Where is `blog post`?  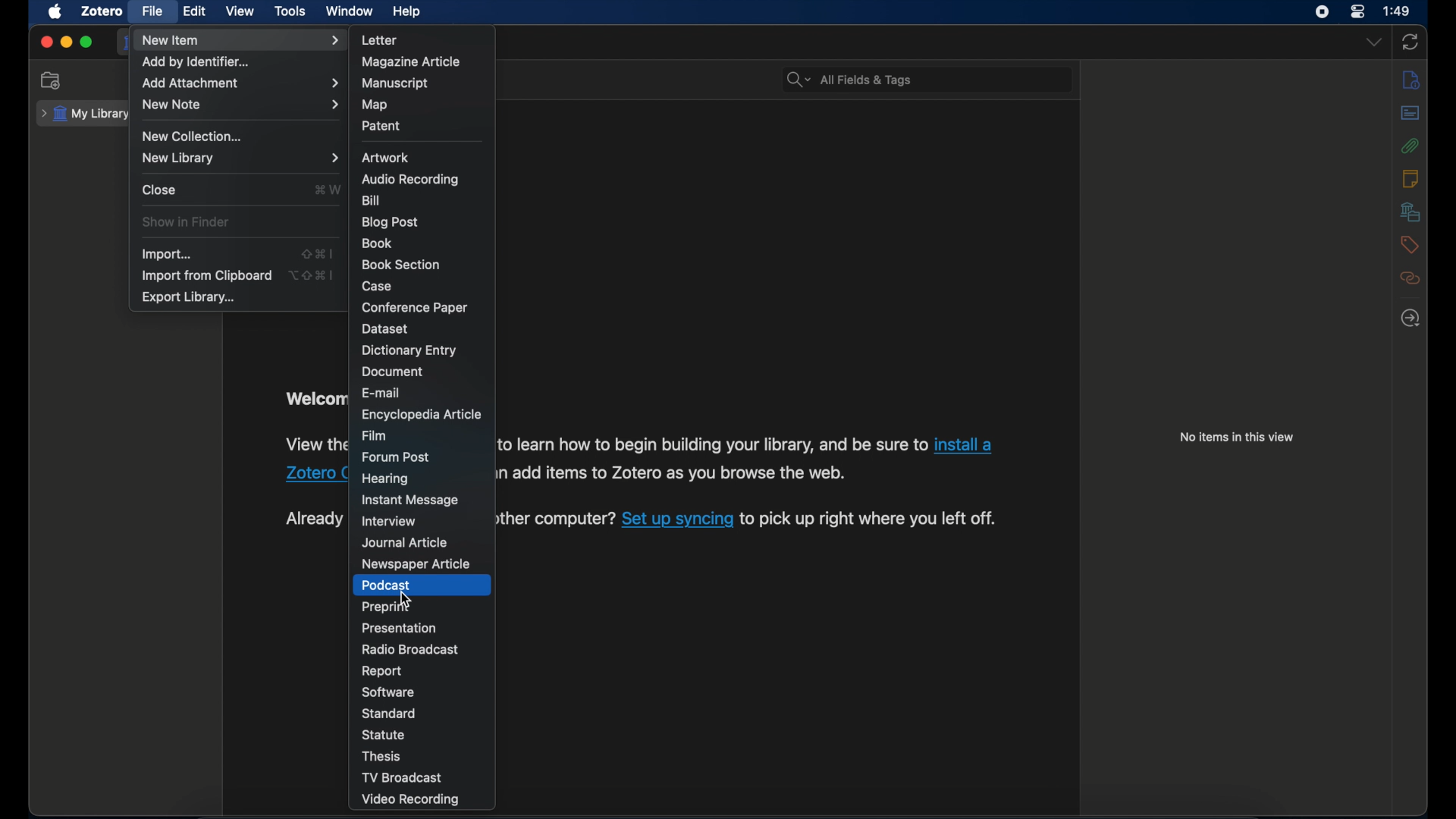
blog post is located at coordinates (391, 222).